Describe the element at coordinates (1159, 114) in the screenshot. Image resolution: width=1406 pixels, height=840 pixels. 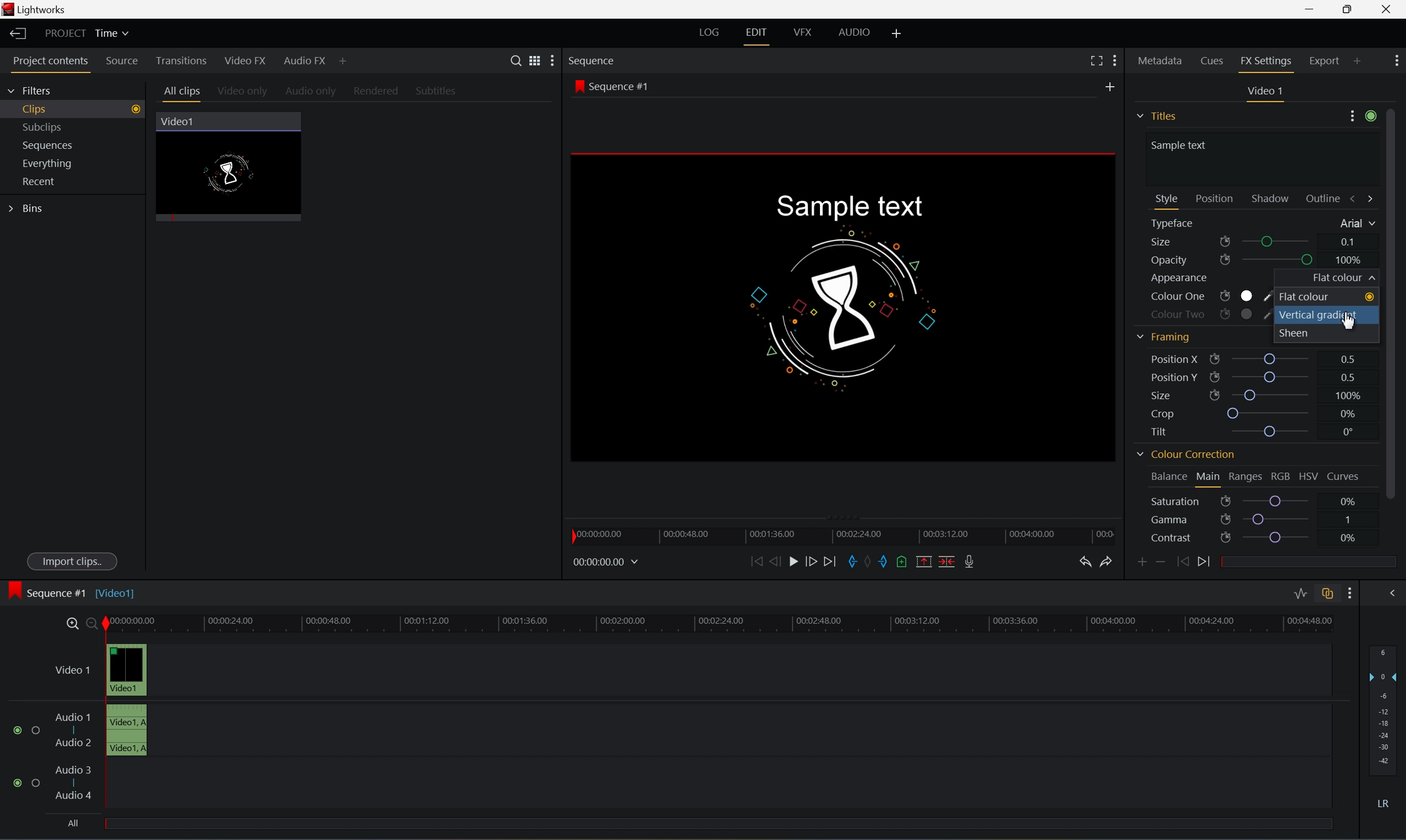
I see `Files` at that location.